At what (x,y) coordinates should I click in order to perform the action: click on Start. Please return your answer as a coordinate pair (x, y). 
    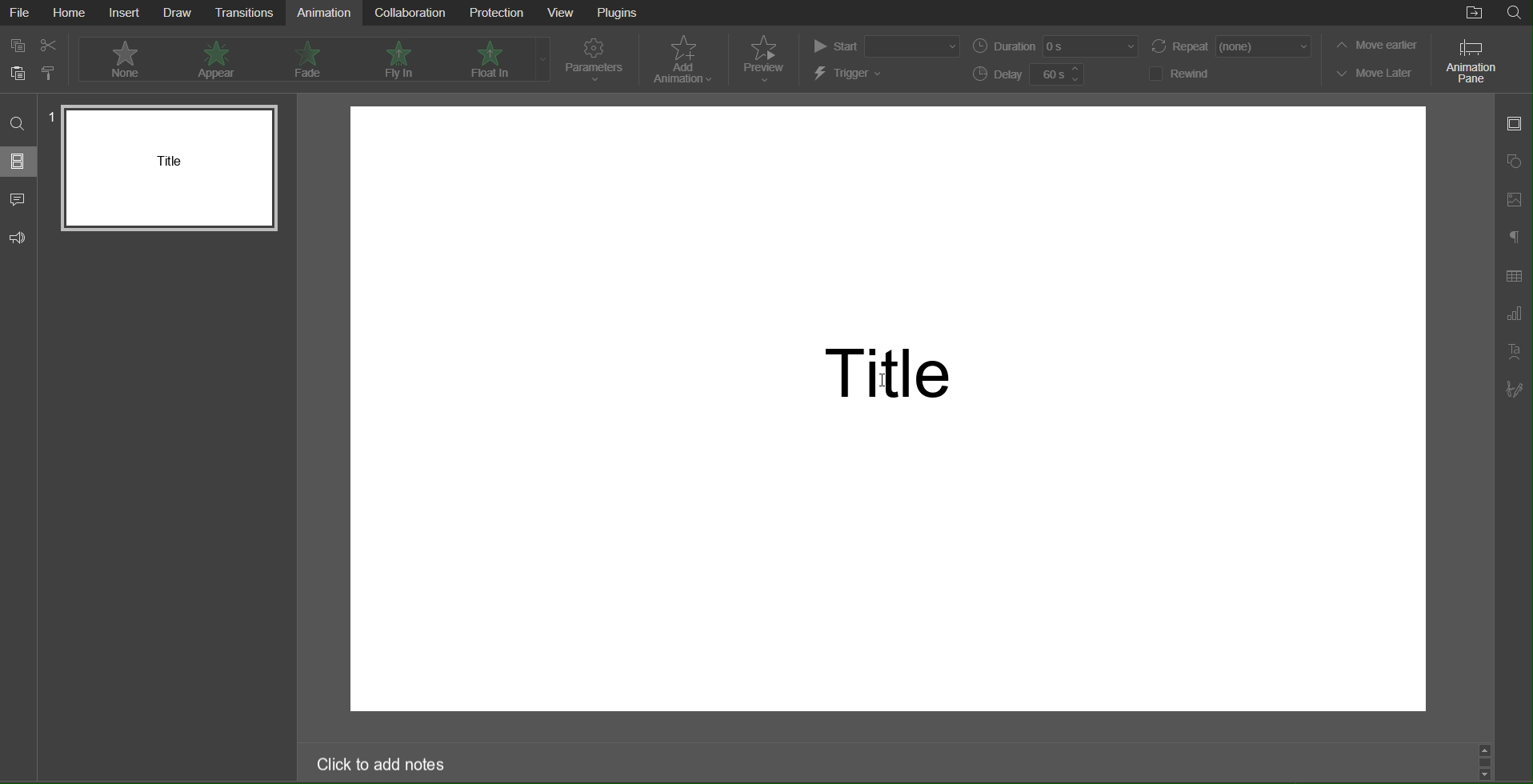
    Looking at the image, I should click on (884, 46).